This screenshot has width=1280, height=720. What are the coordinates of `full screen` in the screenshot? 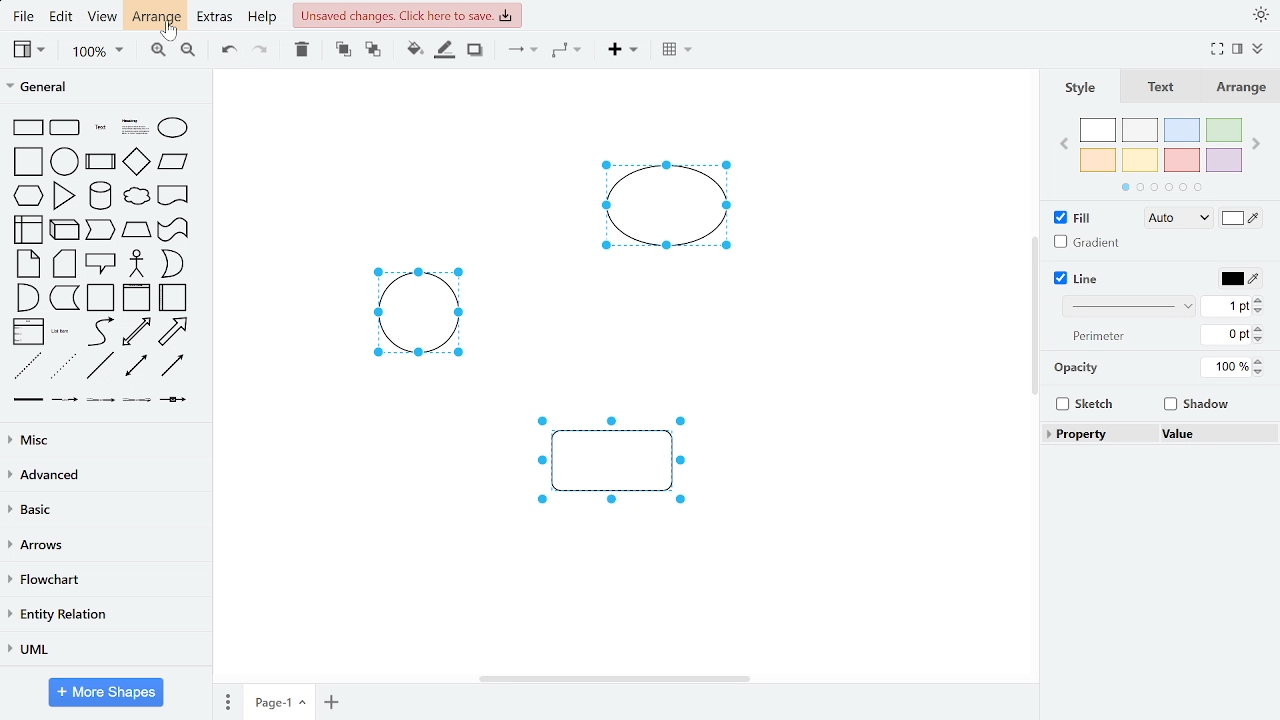 It's located at (1216, 50).